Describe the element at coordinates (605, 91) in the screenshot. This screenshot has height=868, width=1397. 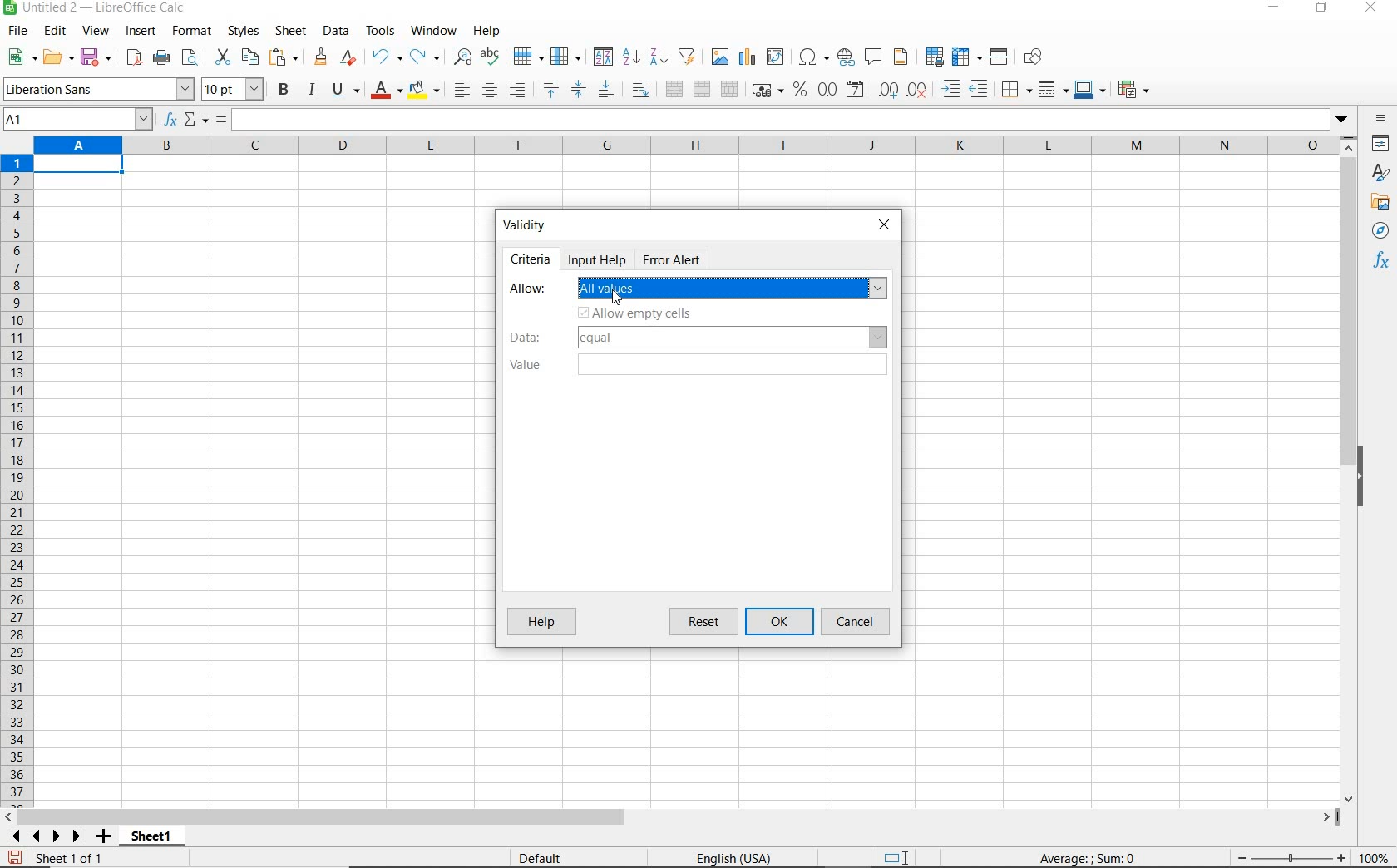
I see `align bottom` at that location.